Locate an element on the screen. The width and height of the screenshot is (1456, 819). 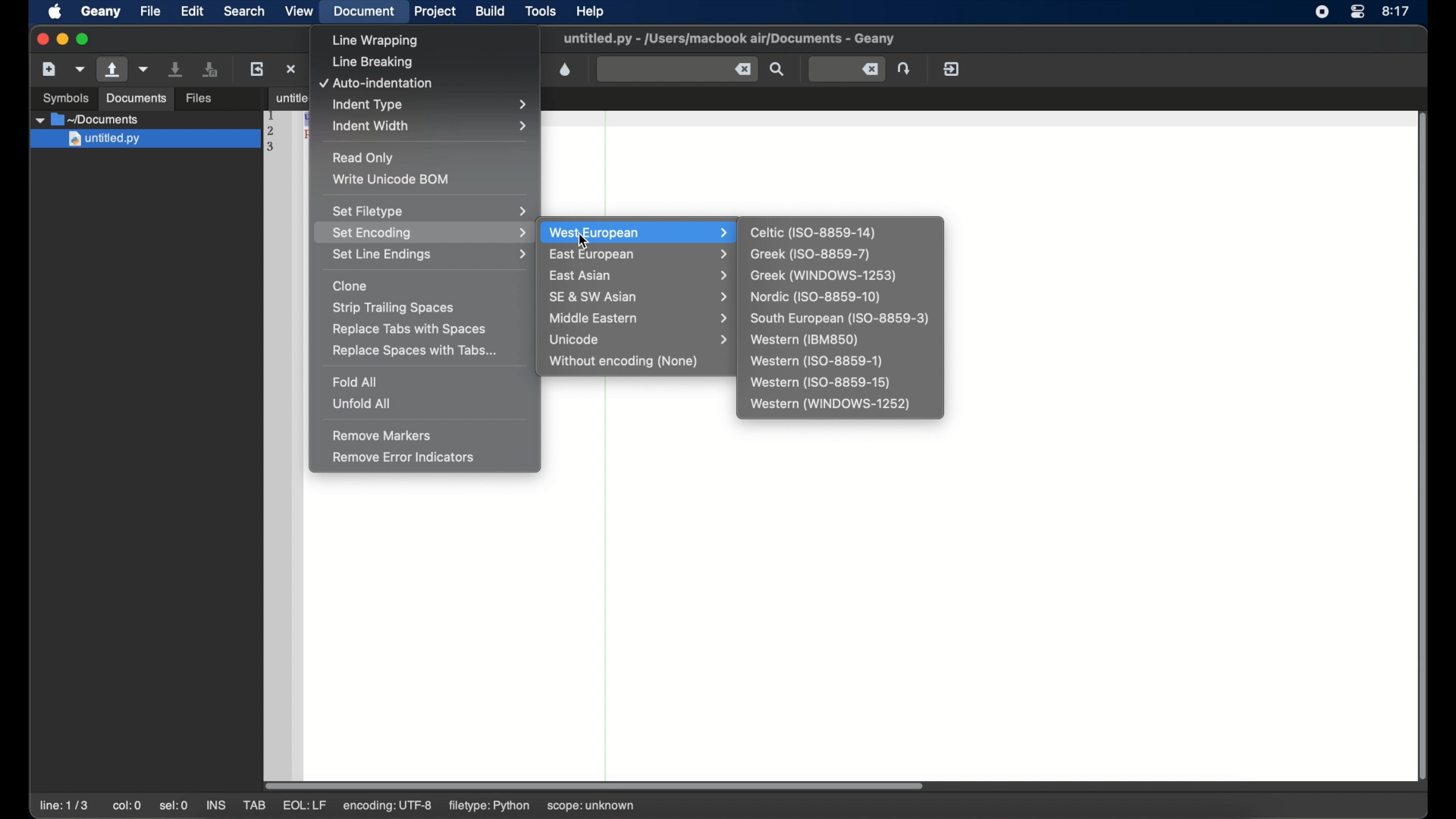
save all open files is located at coordinates (210, 69).